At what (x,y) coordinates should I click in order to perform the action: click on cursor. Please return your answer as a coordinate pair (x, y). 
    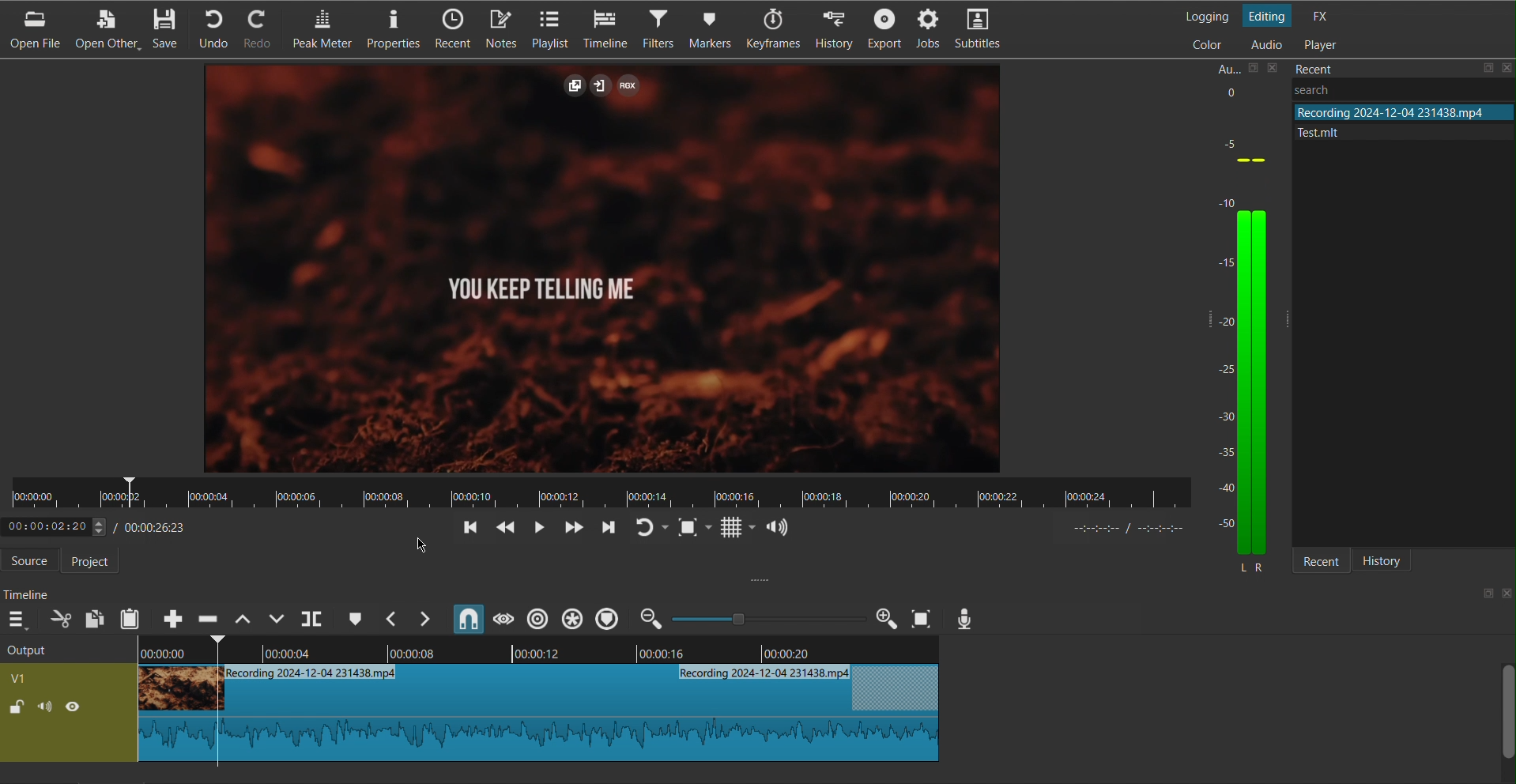
    Looking at the image, I should click on (419, 544).